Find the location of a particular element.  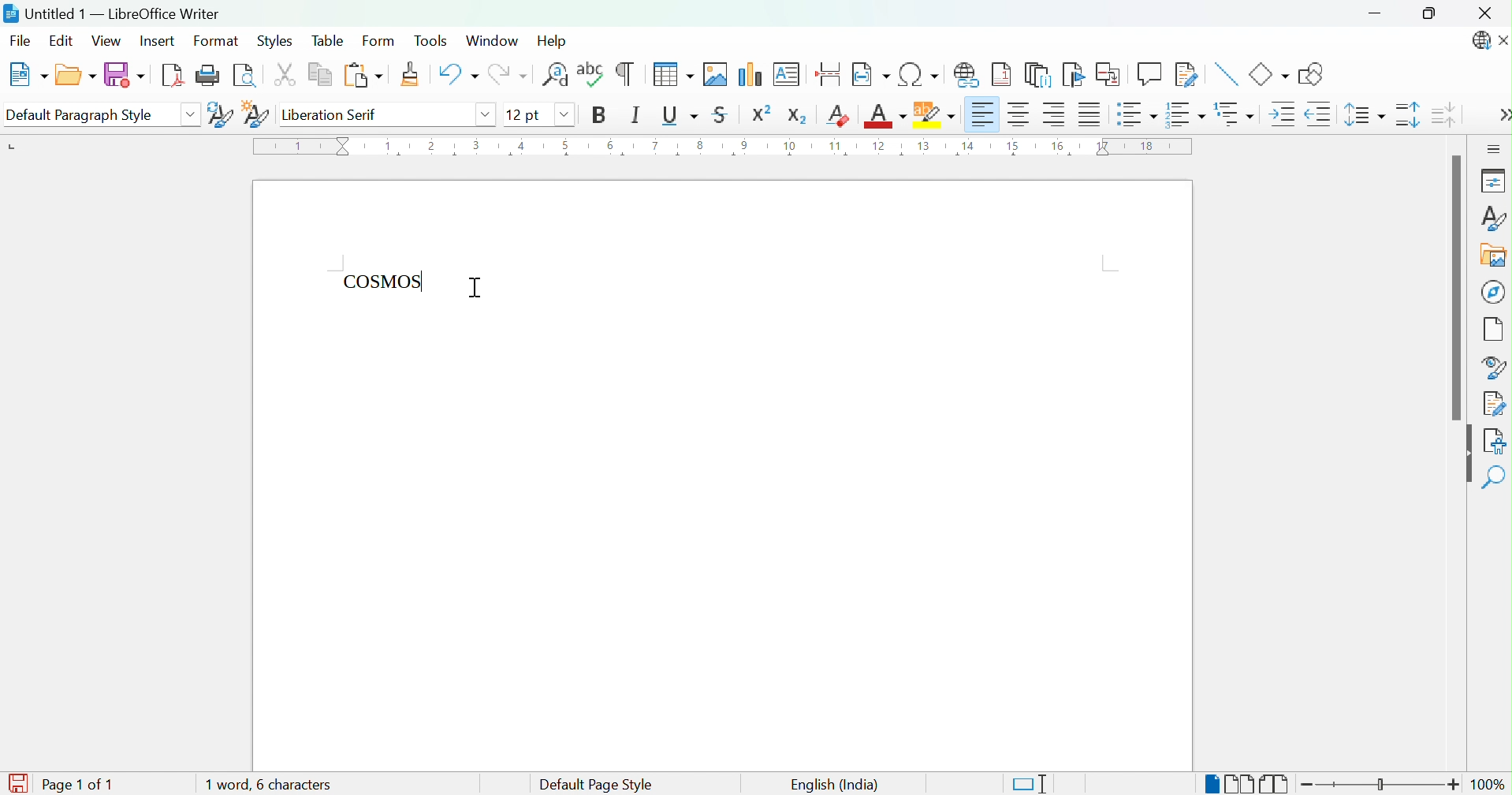

Insert Image is located at coordinates (716, 74).